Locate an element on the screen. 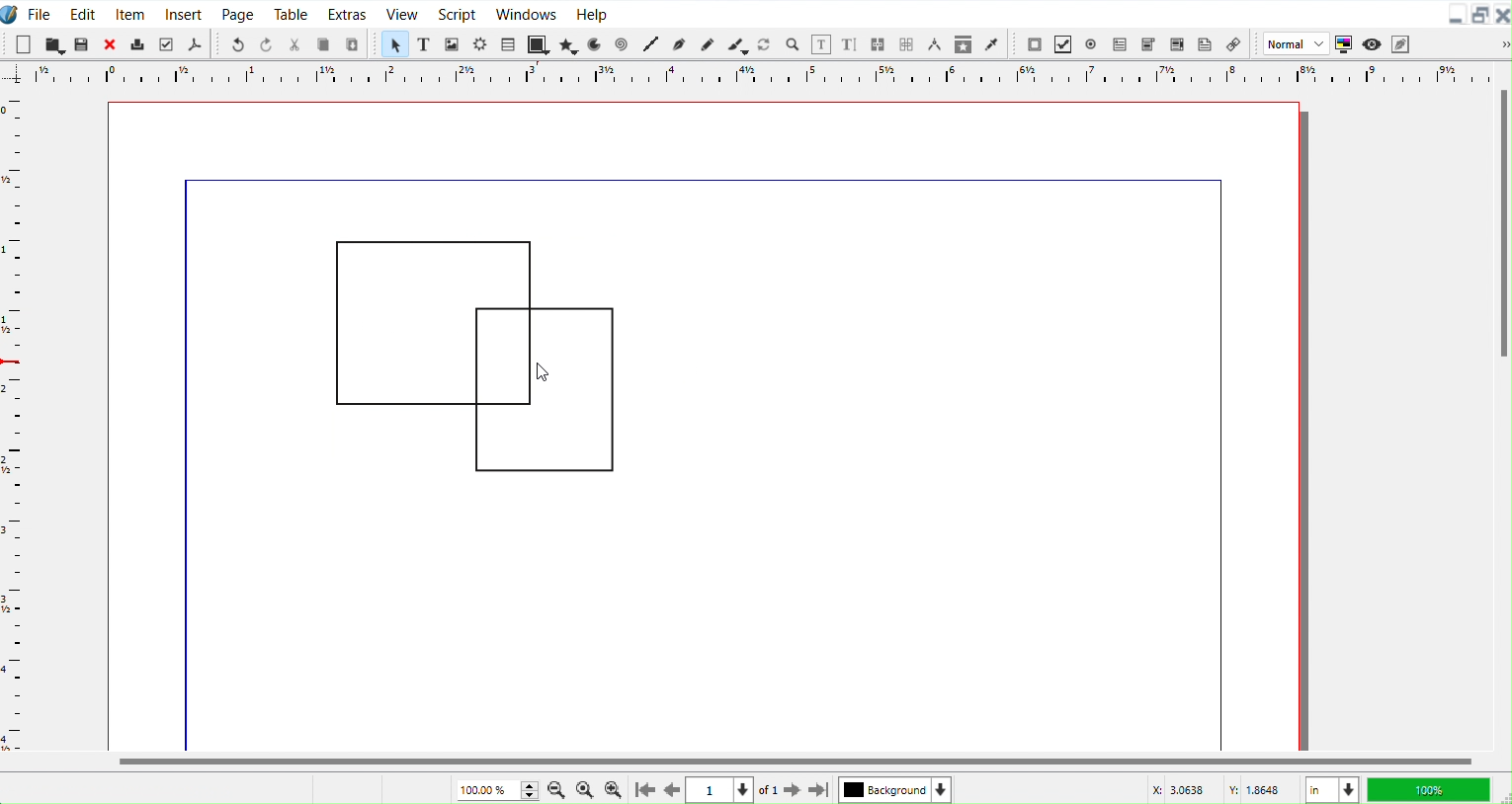 This screenshot has height=804, width=1512. Window is located at coordinates (527, 13).